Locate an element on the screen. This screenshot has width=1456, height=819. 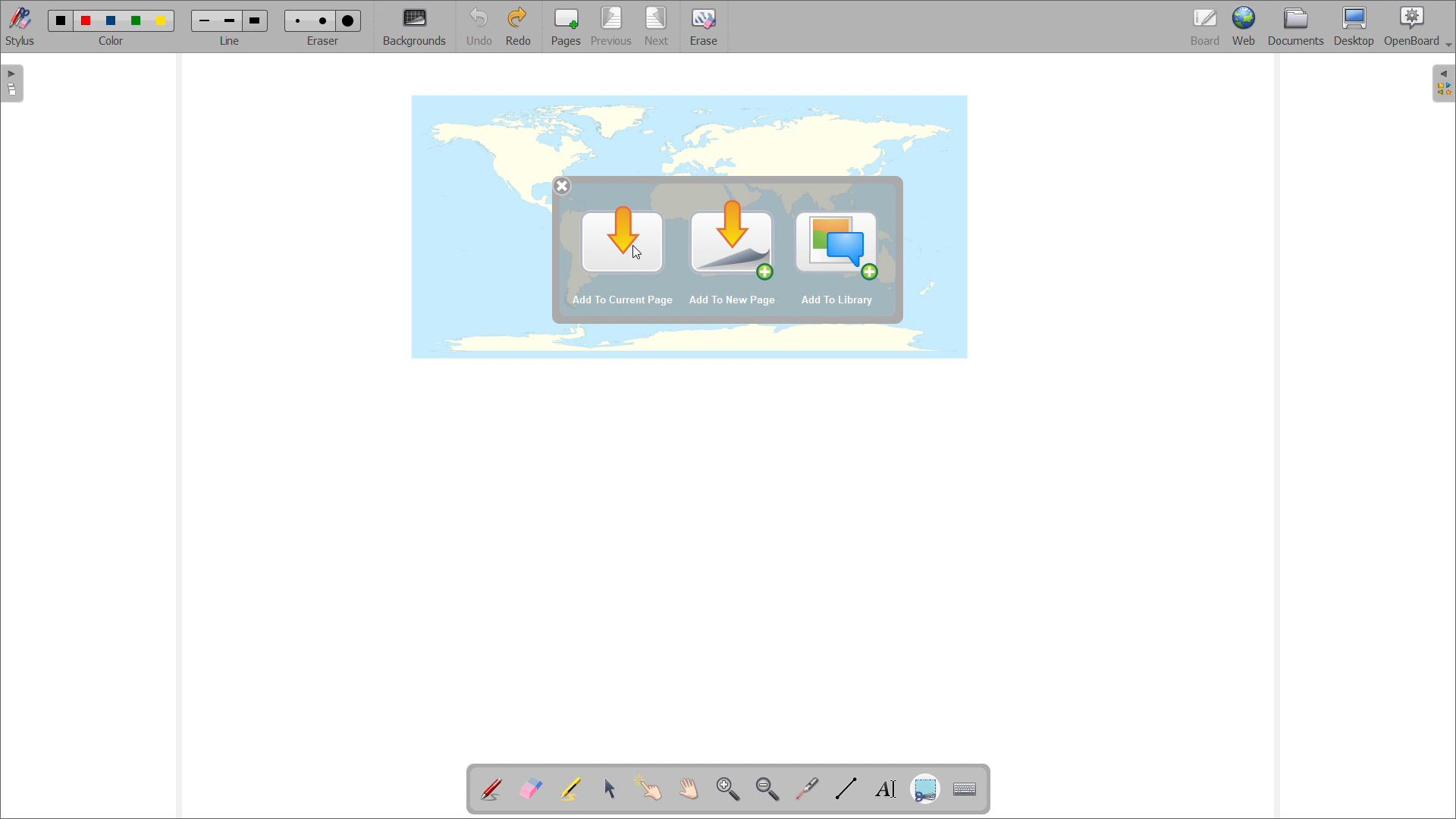
erase is located at coordinates (704, 27).